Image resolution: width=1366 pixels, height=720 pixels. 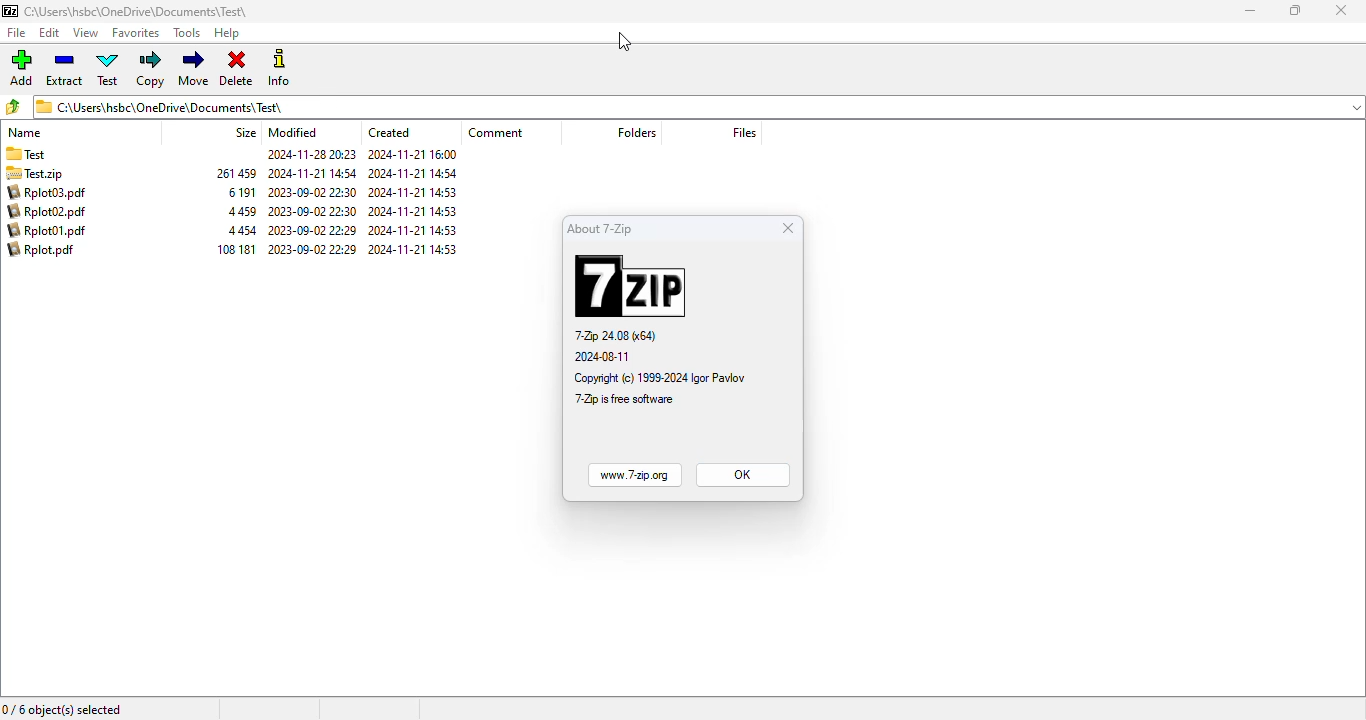 What do you see at coordinates (312, 173) in the screenshot?
I see `2024-11-21 14:54` at bounding box center [312, 173].